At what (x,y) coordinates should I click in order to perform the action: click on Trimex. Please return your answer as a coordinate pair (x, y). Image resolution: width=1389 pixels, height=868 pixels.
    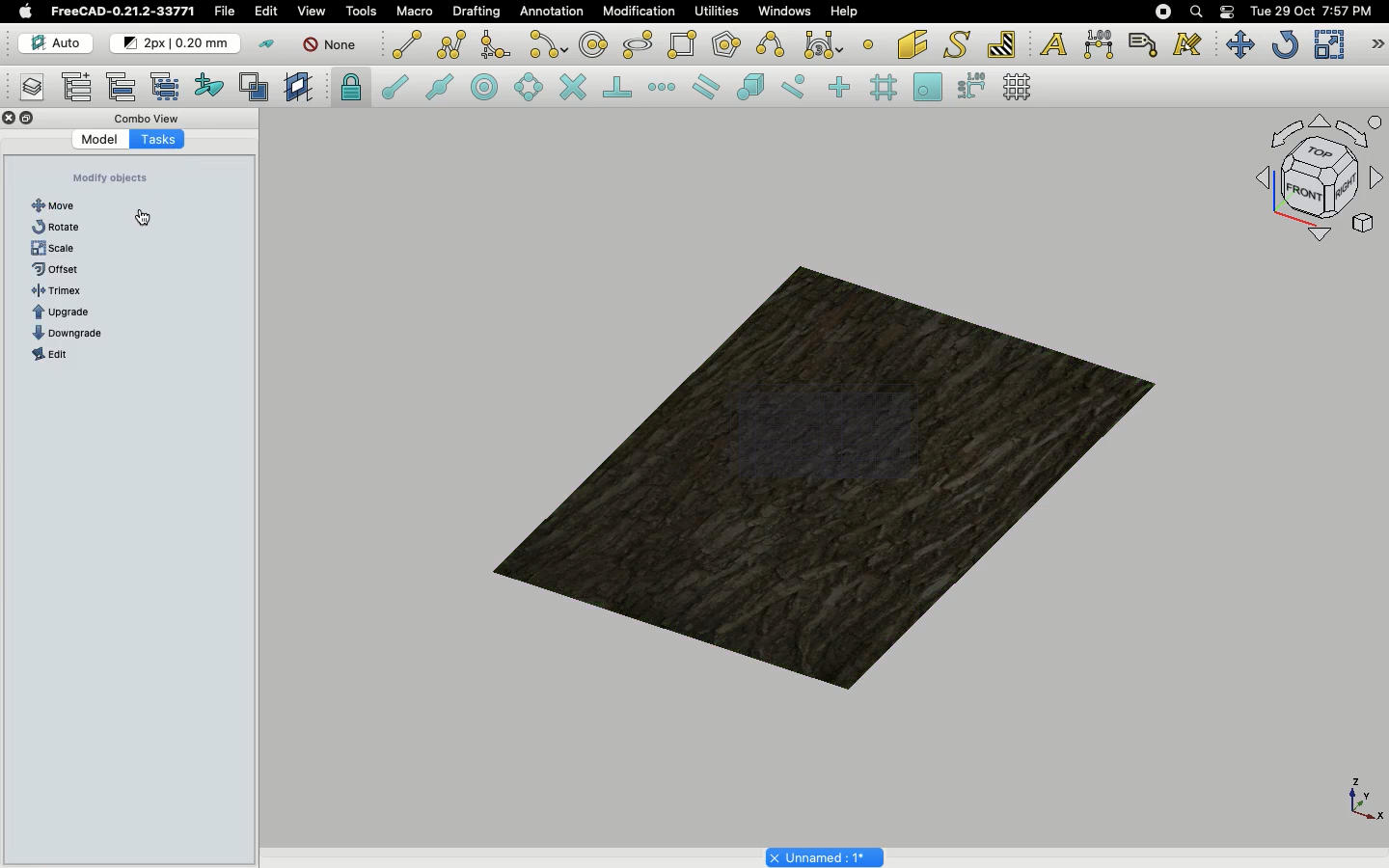
    Looking at the image, I should click on (60, 291).